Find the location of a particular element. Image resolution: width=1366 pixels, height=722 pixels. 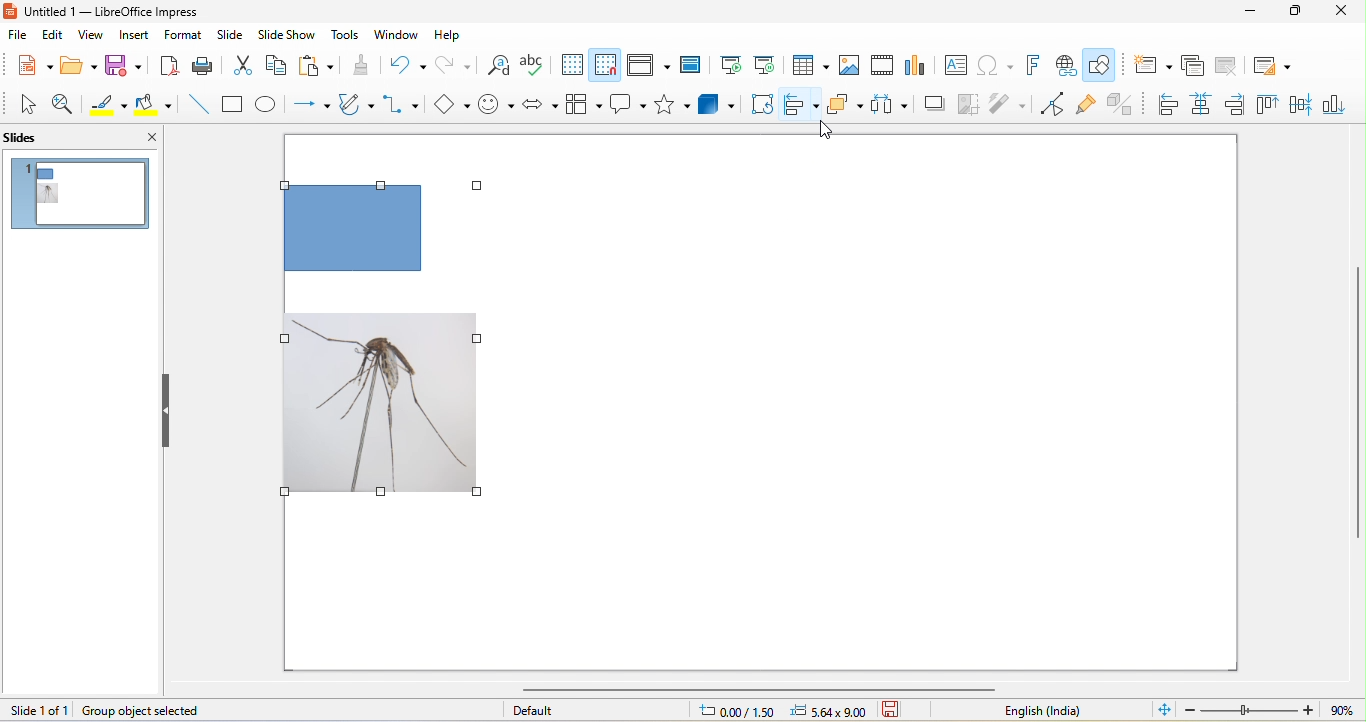

minimize is located at coordinates (1252, 12).